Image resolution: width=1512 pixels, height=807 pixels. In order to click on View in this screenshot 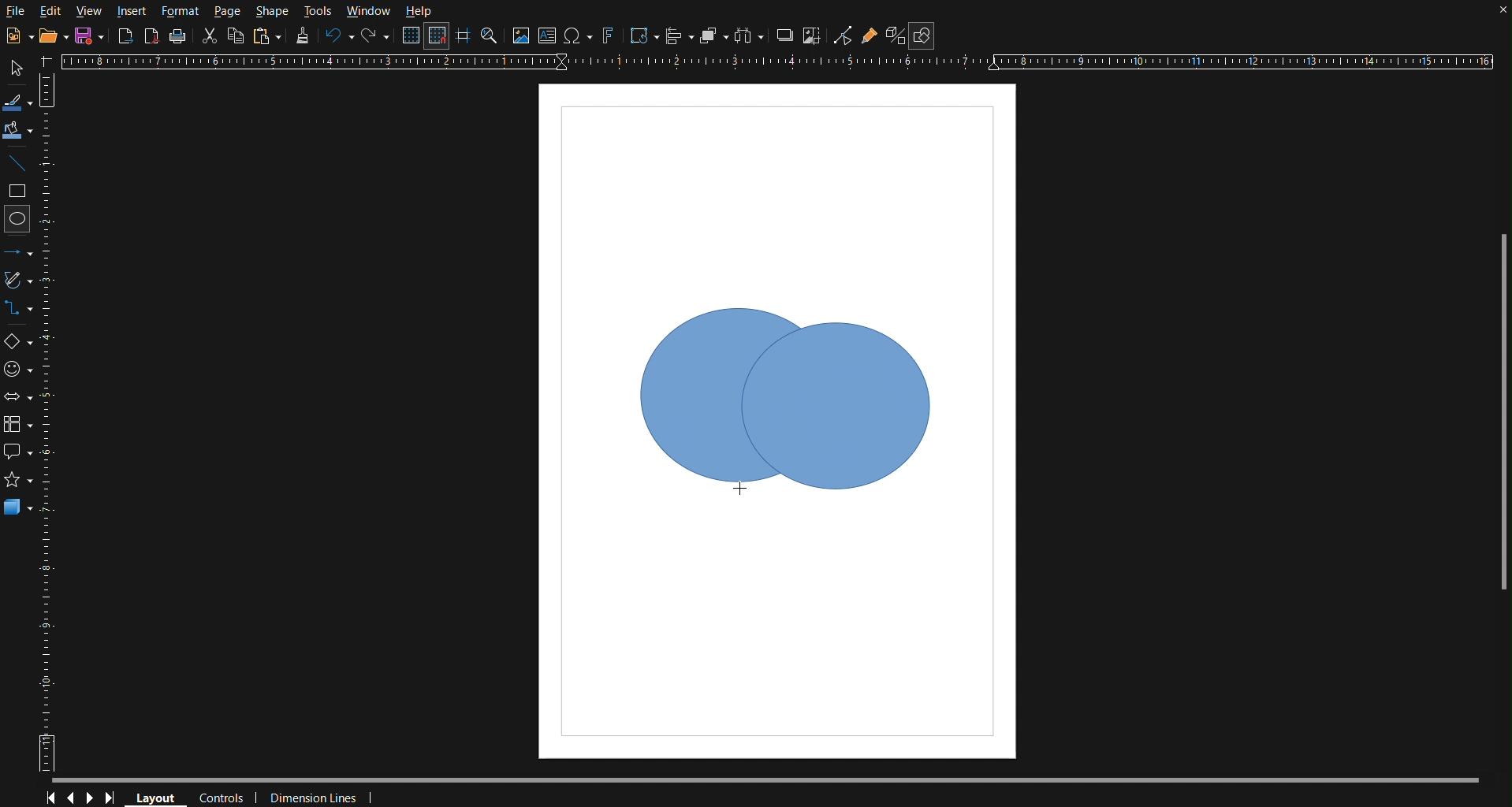, I will do `click(88, 11)`.